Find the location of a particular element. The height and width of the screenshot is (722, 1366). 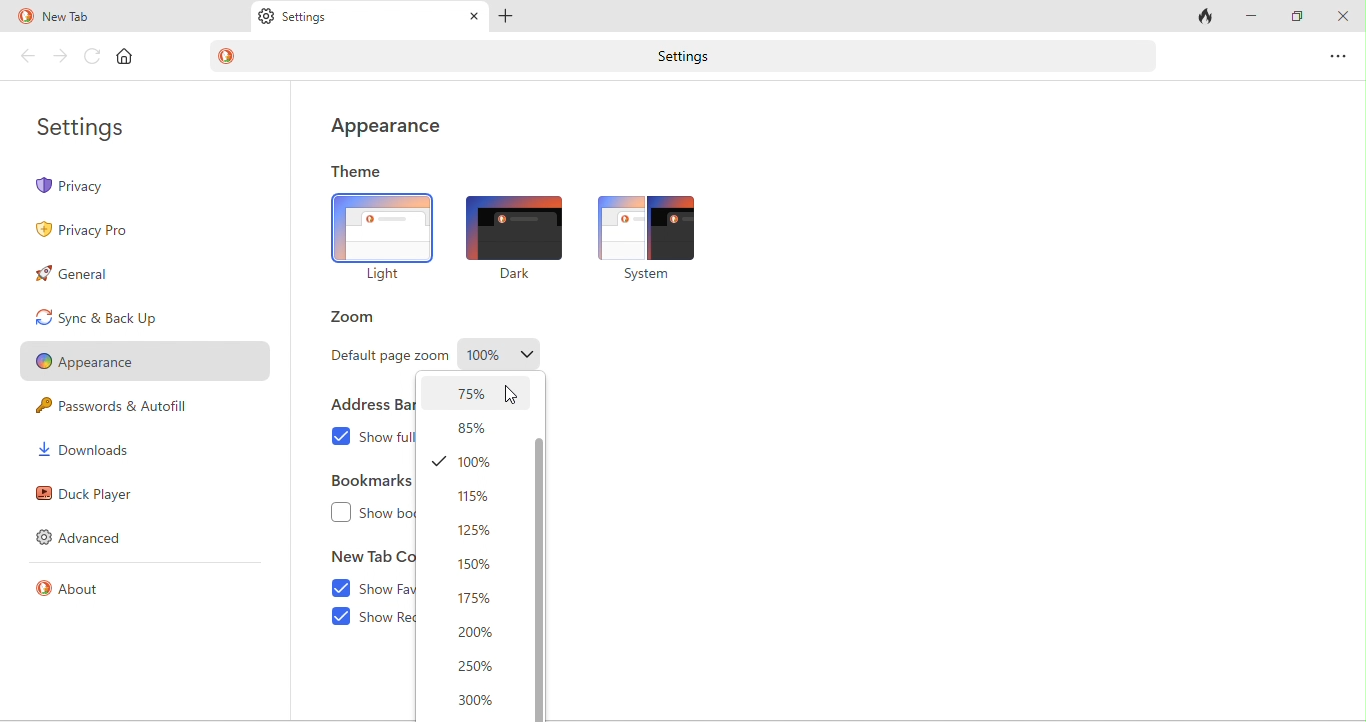

forward is located at coordinates (62, 56).